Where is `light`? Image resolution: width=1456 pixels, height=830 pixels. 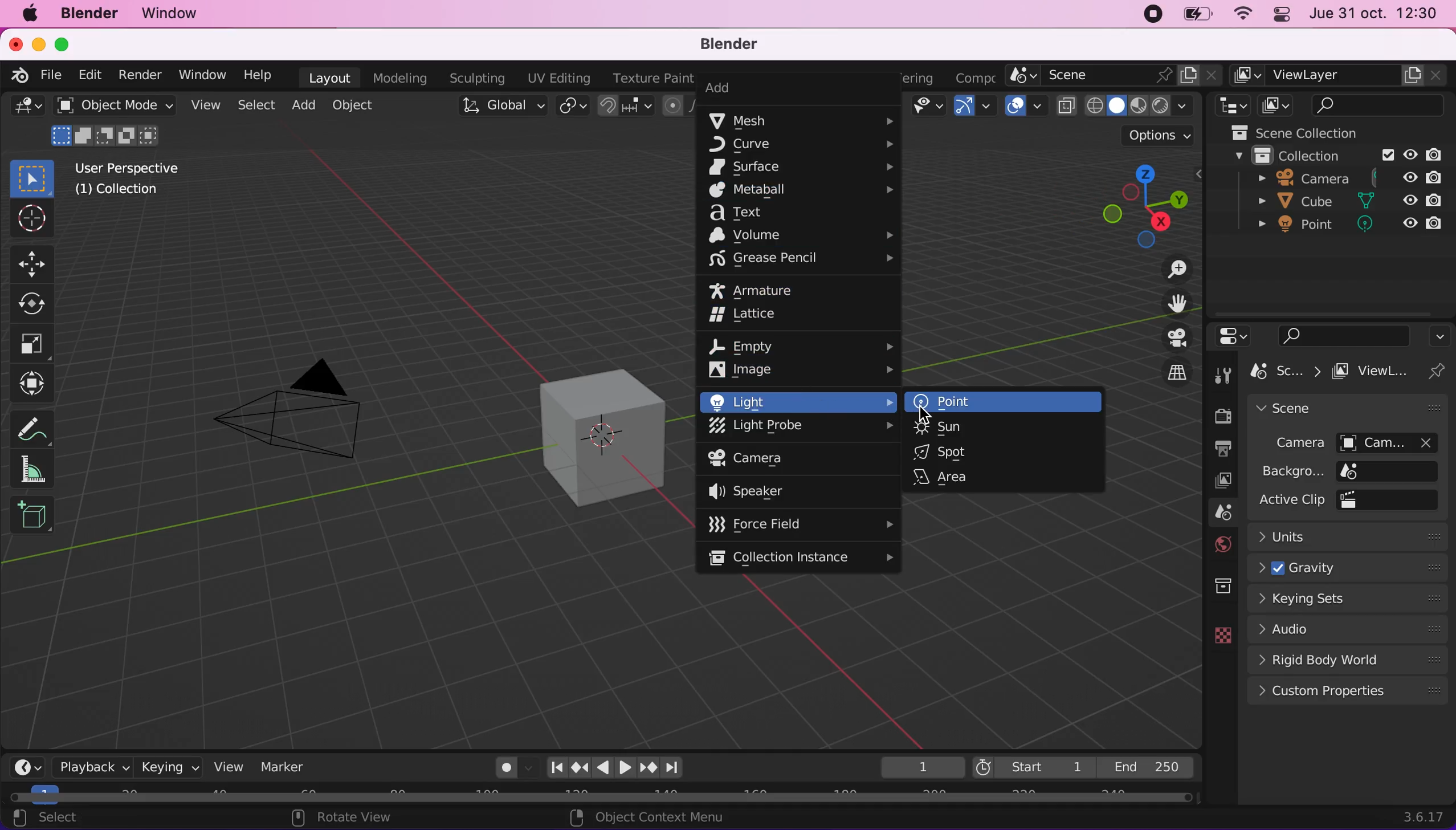
light is located at coordinates (800, 402).